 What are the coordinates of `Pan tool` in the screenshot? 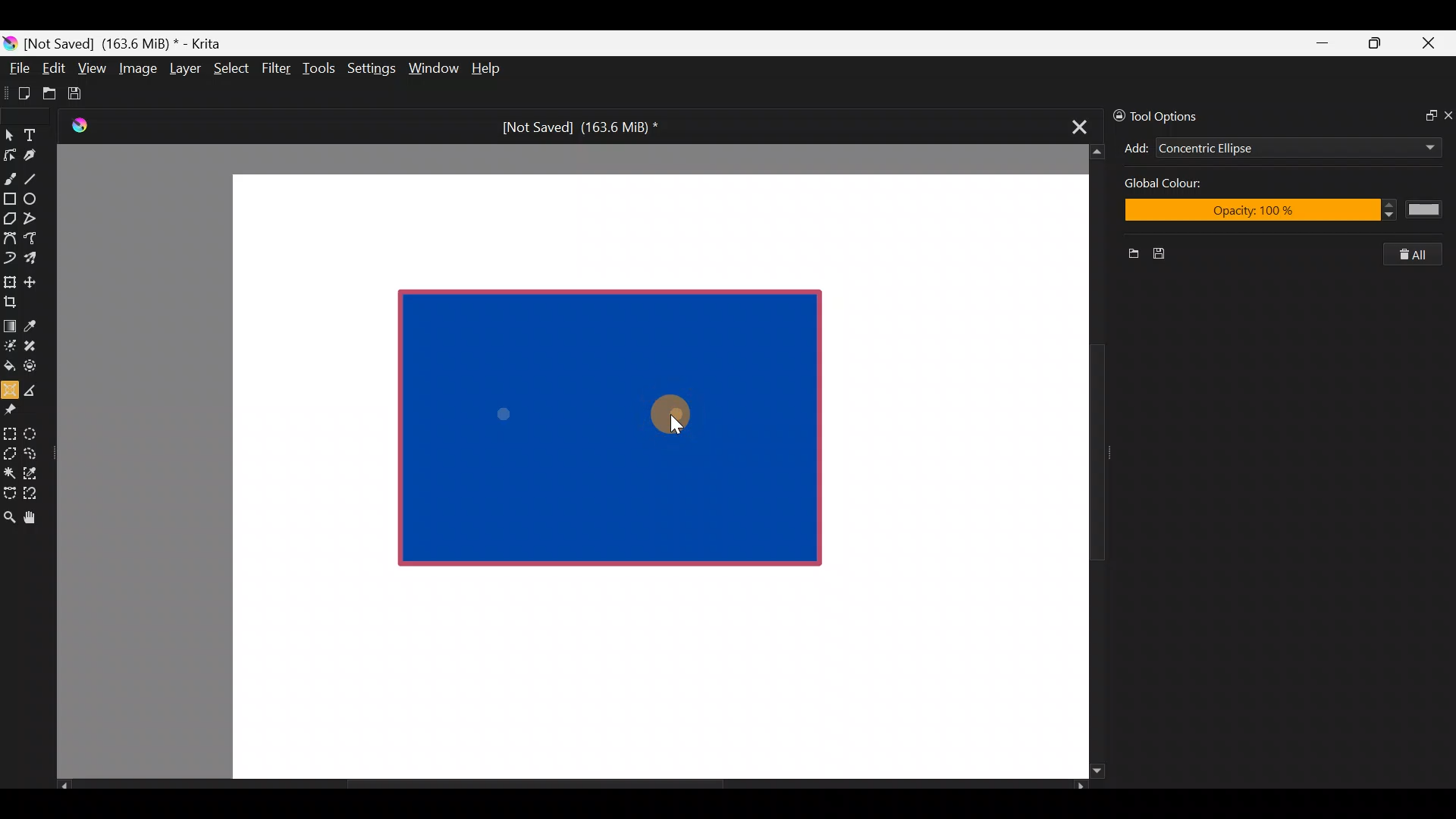 It's located at (36, 518).